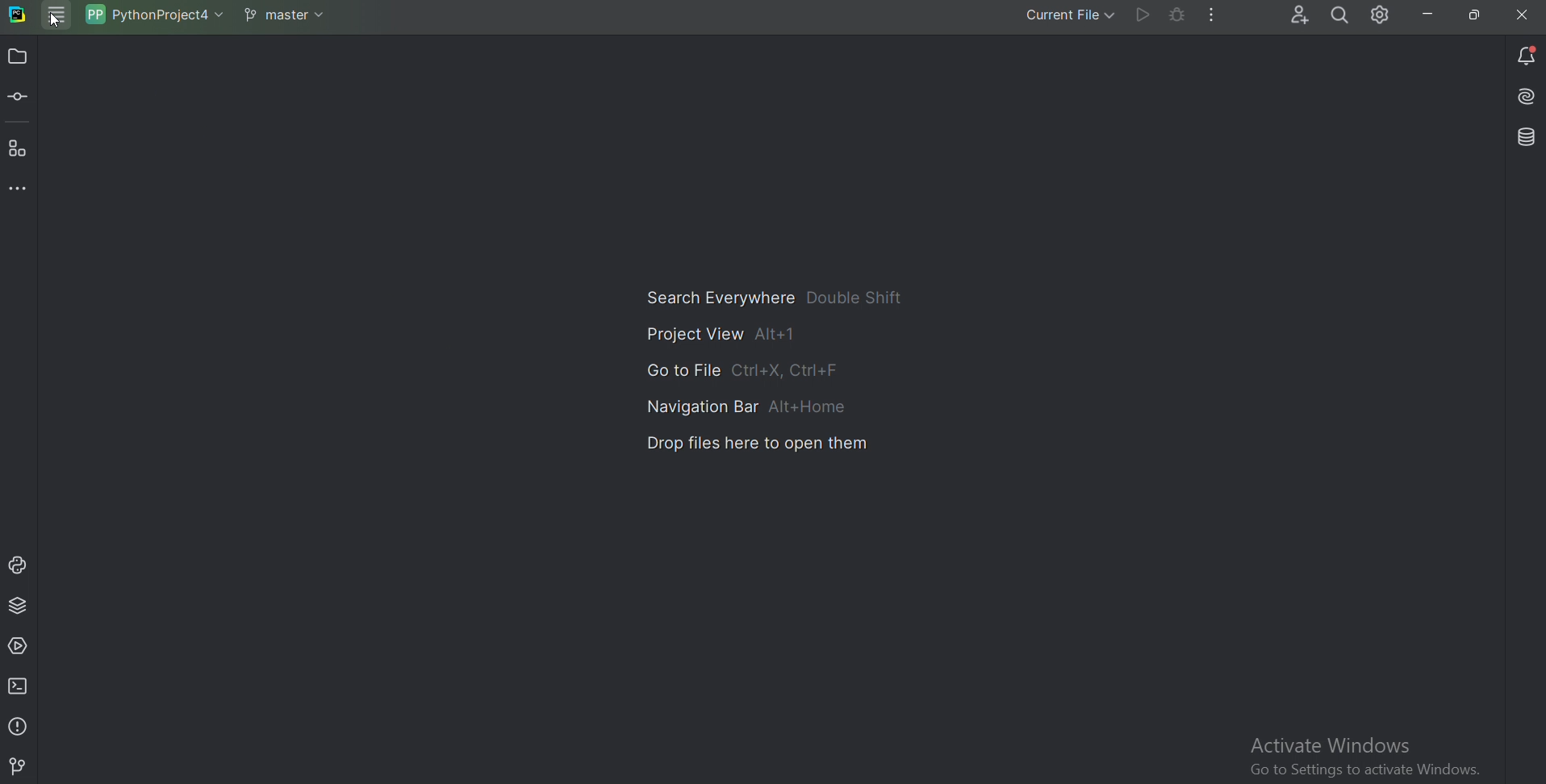 The height and width of the screenshot is (784, 1546). Describe the element at coordinates (1365, 756) in the screenshot. I see `Activate Windows
Go to Settinac to activate Windows` at that location.